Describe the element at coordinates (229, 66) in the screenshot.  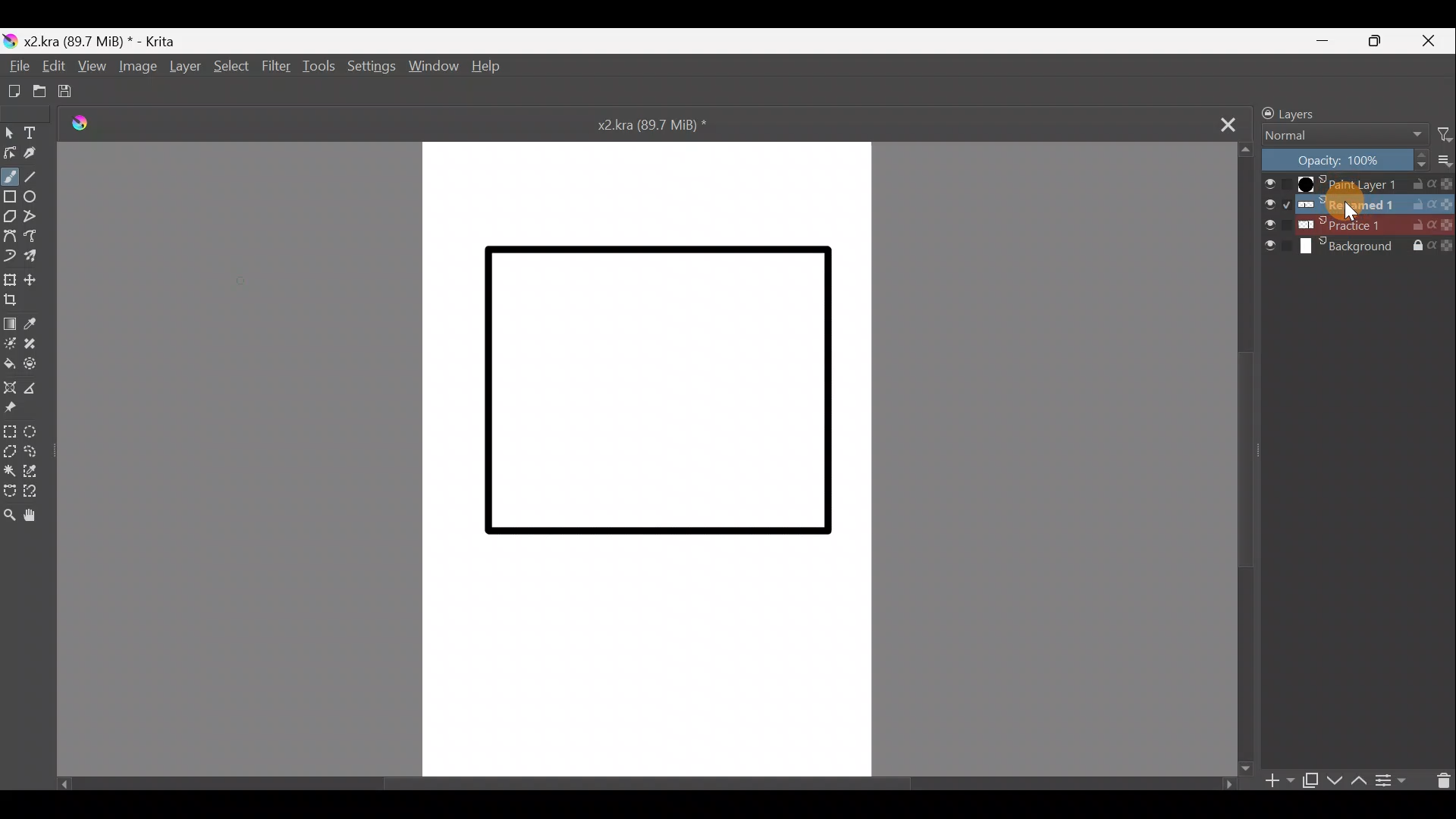
I see `Select` at that location.